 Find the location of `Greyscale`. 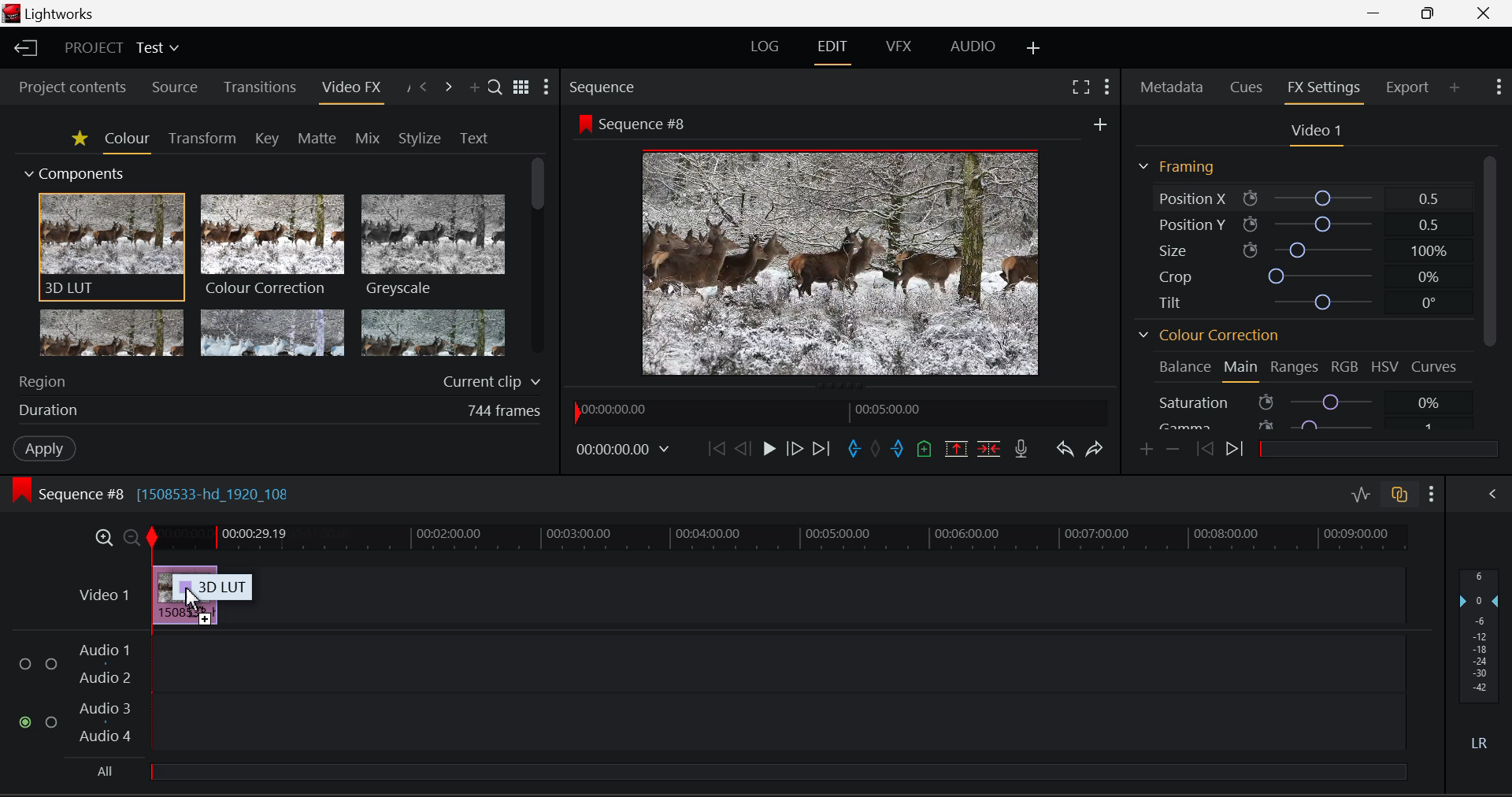

Greyscale is located at coordinates (432, 247).